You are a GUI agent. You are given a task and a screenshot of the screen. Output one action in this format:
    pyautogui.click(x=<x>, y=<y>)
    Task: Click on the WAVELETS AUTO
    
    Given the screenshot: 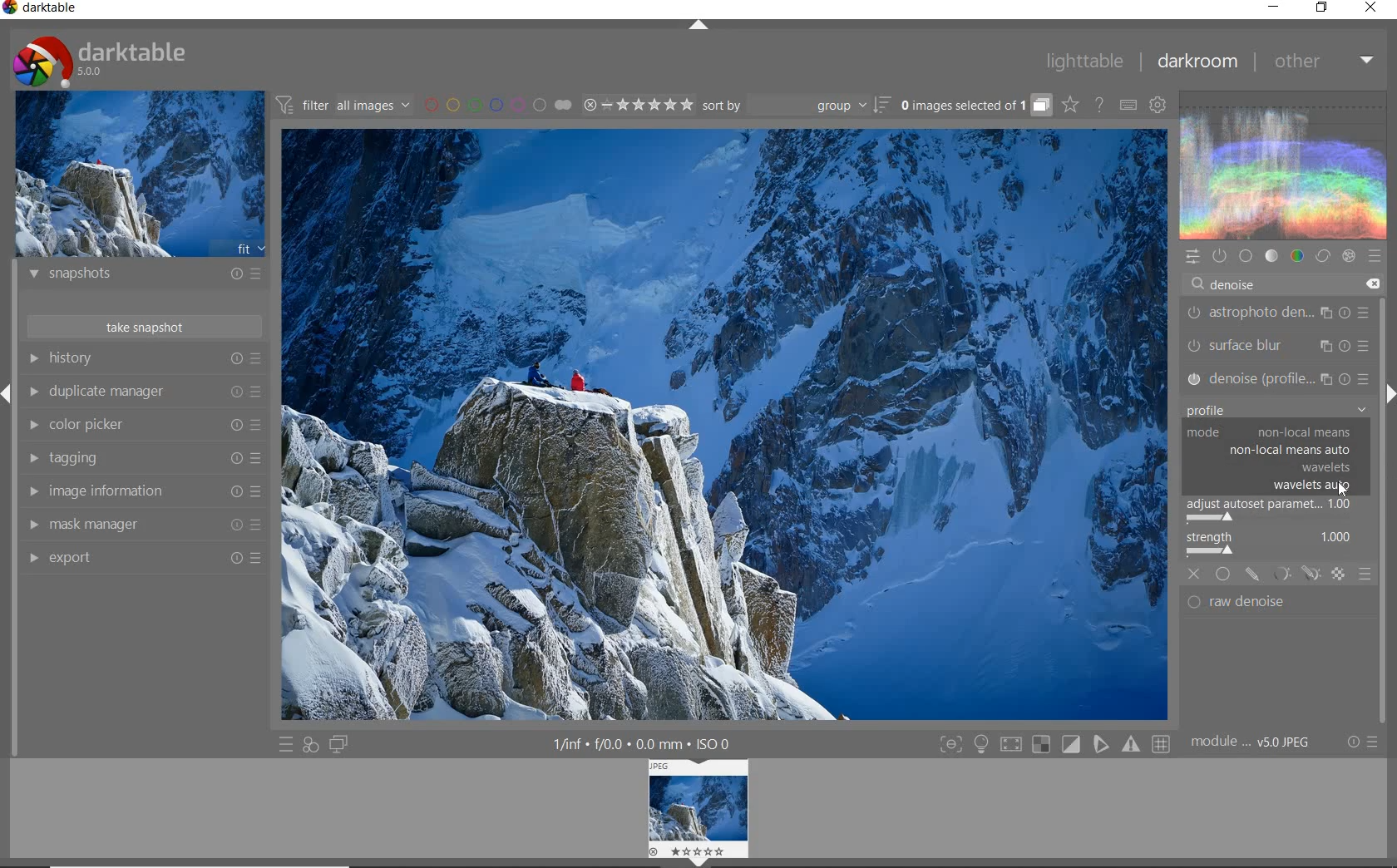 What is the action you would take?
    pyautogui.click(x=1314, y=488)
    